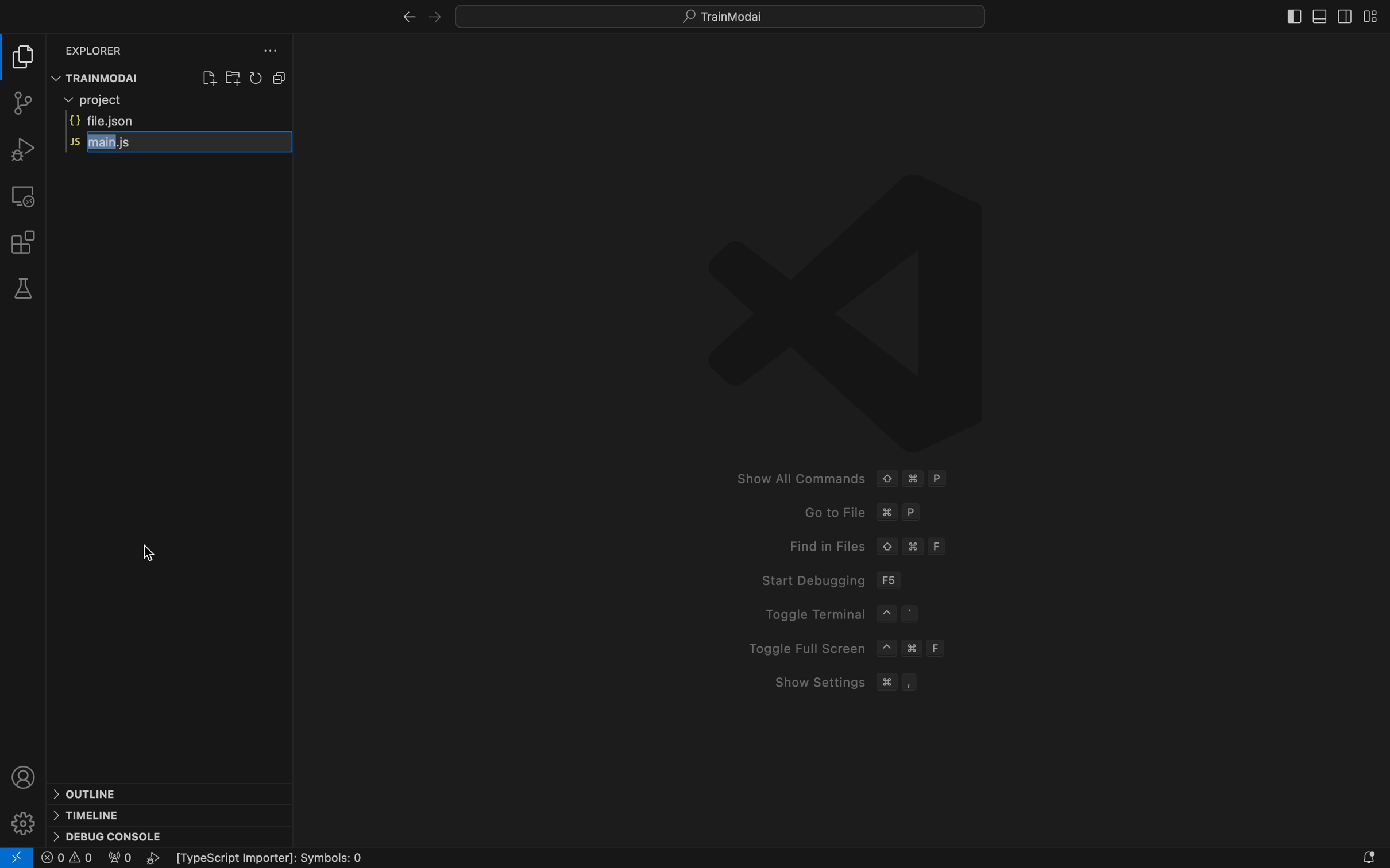  What do you see at coordinates (1318, 18) in the screenshot?
I see `sidebar bottom` at bounding box center [1318, 18].